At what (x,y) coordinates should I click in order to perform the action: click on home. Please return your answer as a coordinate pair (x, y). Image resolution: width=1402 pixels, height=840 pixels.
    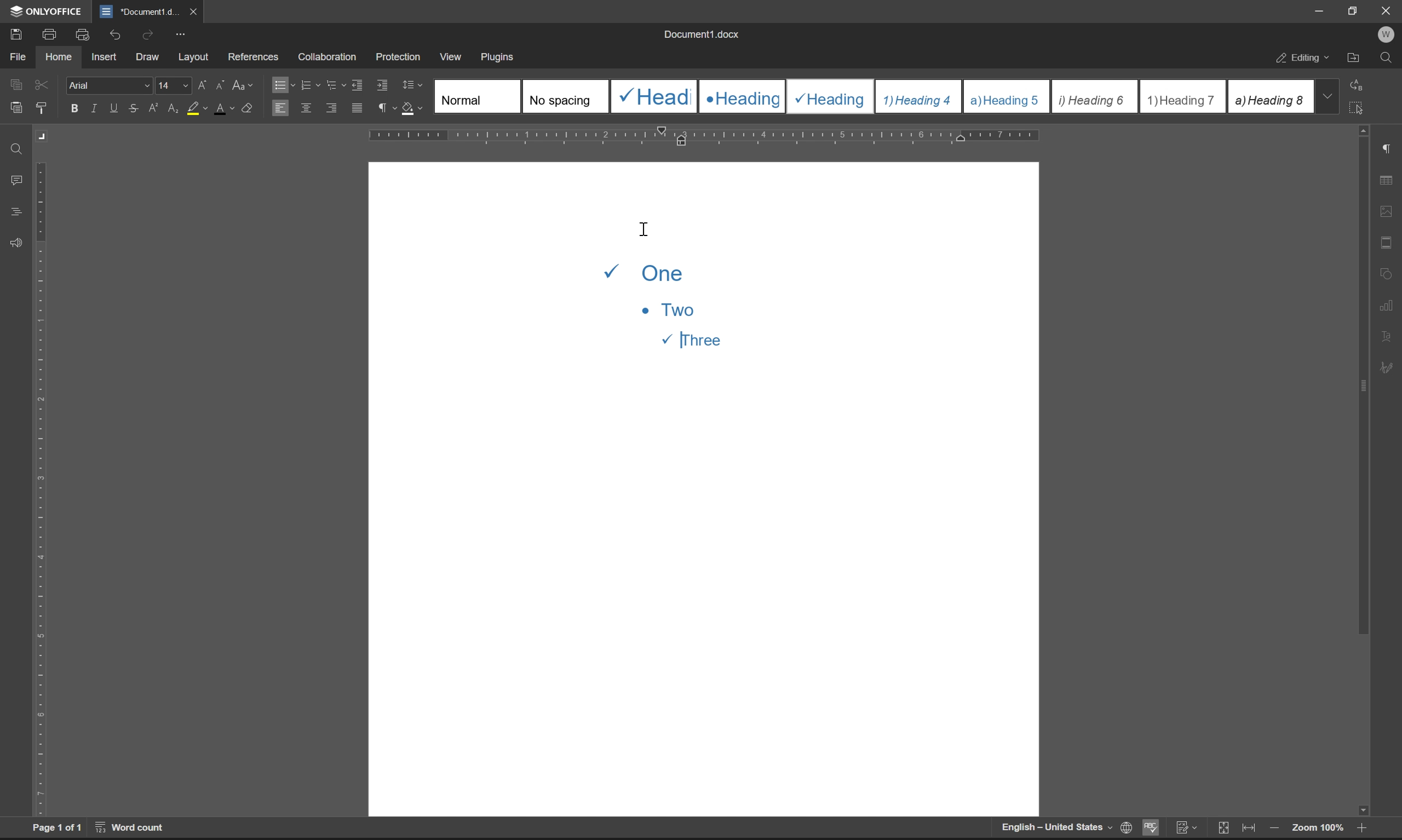
    Looking at the image, I should click on (58, 55).